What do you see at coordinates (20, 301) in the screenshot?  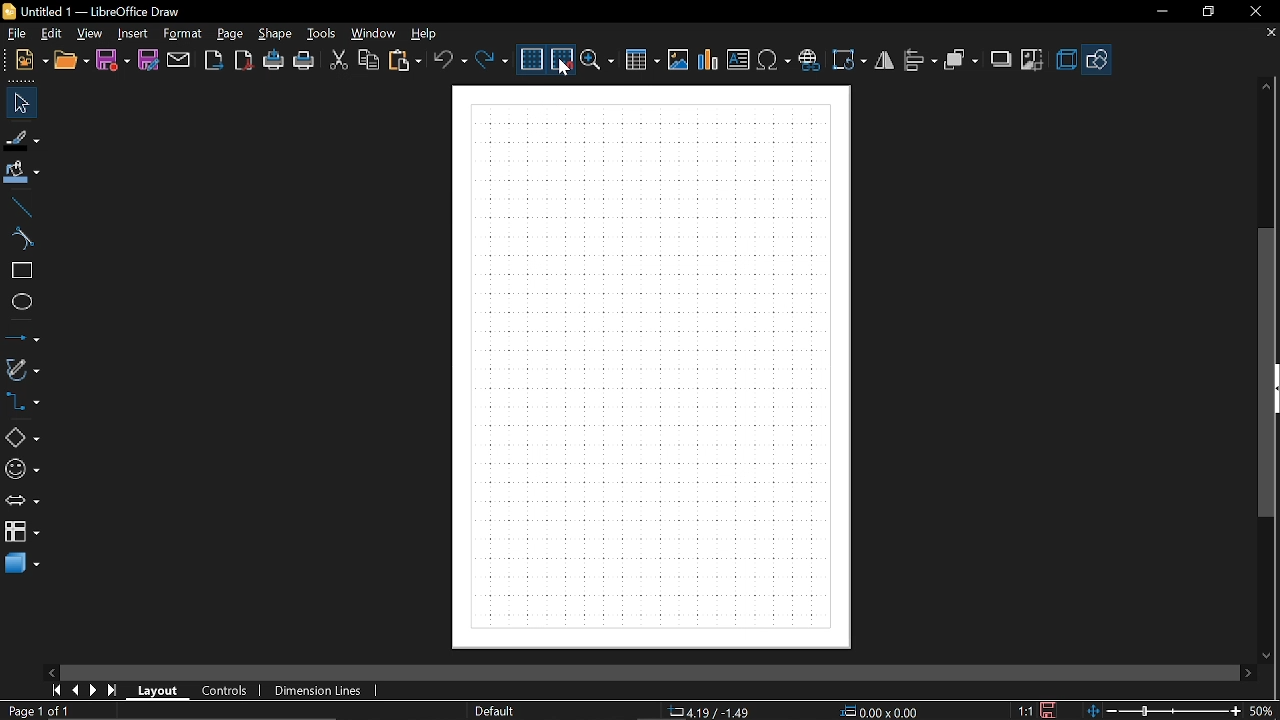 I see `ellipse` at bounding box center [20, 301].